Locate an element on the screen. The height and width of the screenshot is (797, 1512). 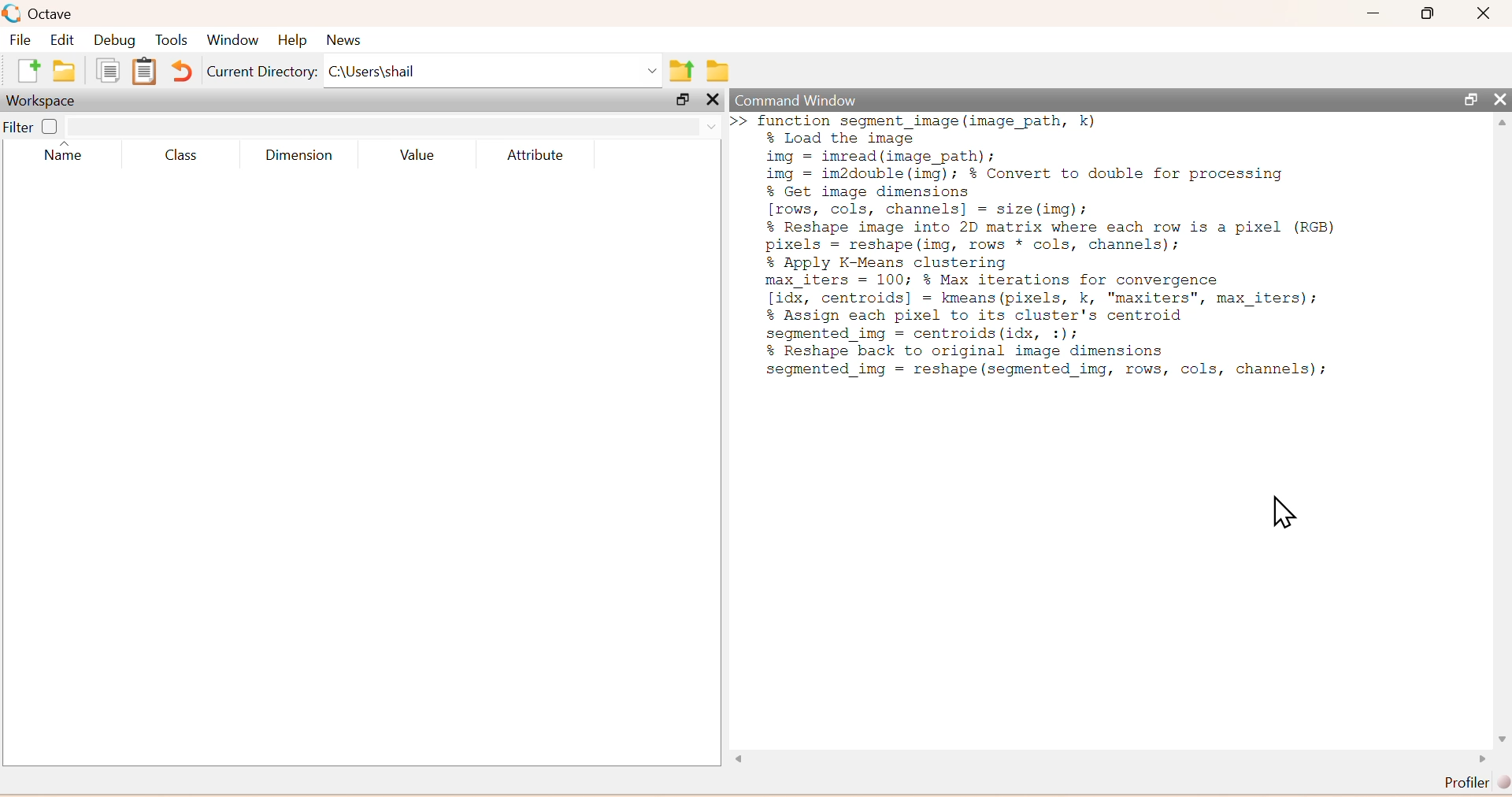
Minimize is located at coordinates (1375, 13).